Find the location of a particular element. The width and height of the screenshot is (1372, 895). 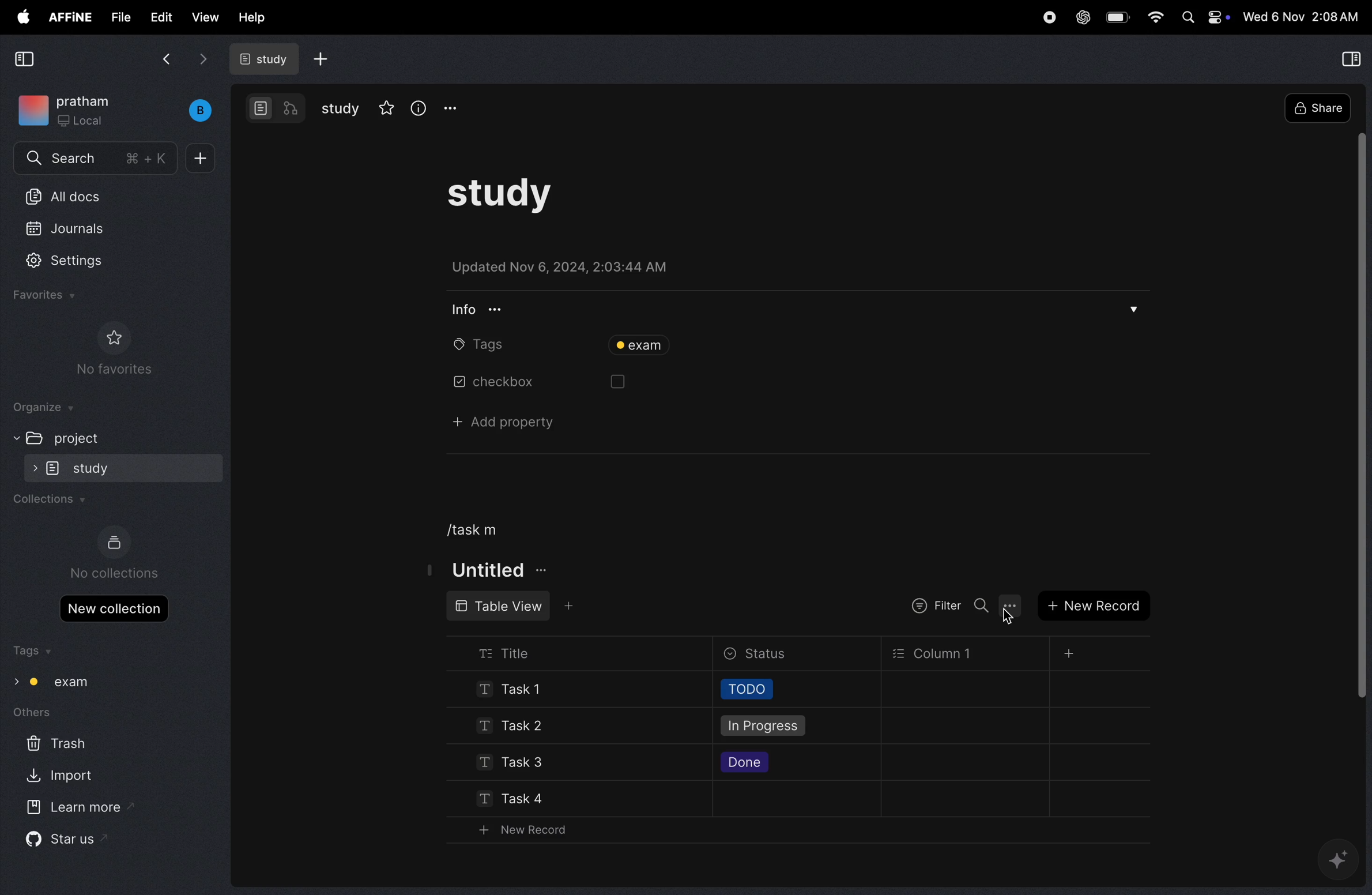

organize is located at coordinates (47, 407).